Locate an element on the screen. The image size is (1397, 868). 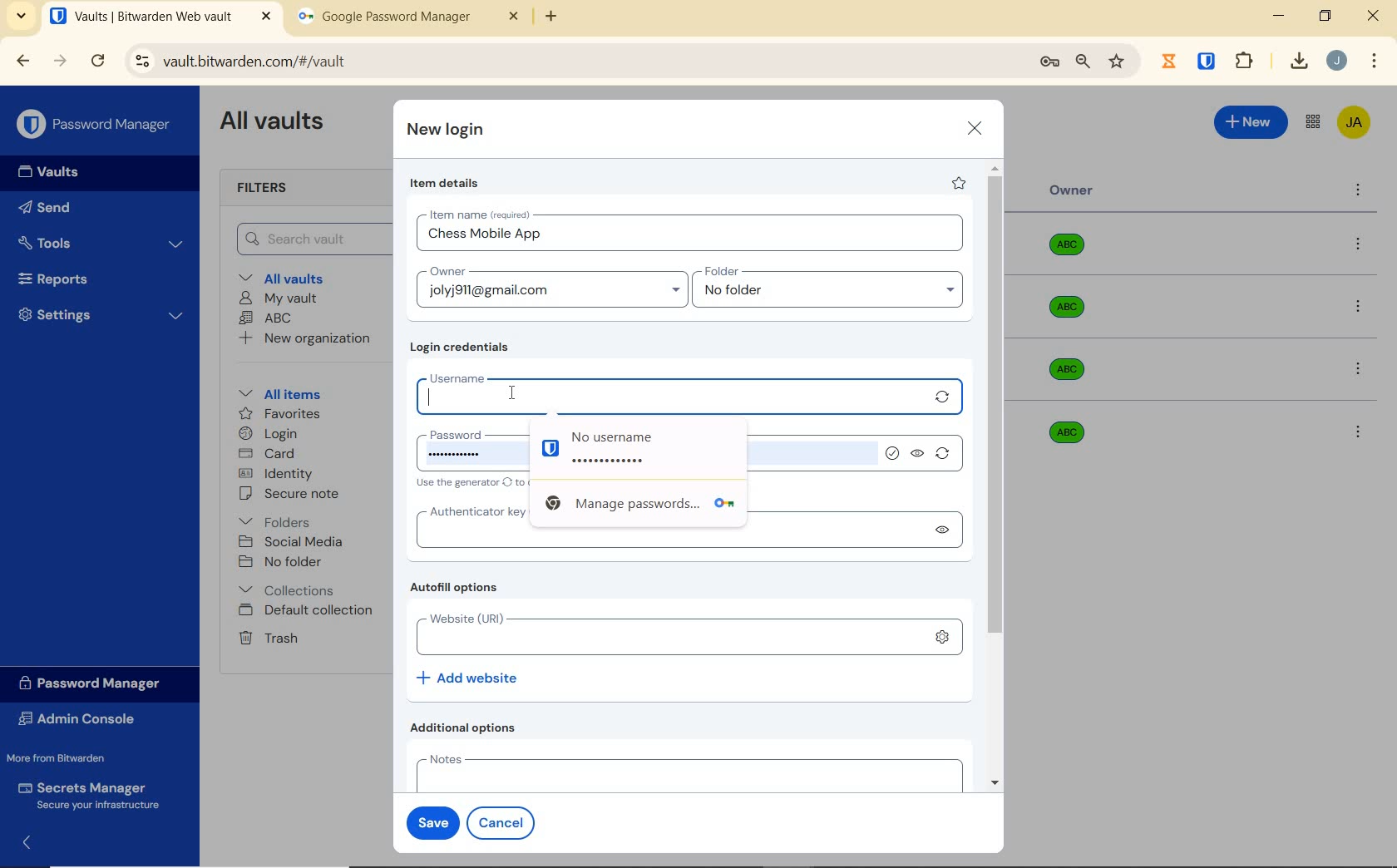
generate is located at coordinates (943, 457).